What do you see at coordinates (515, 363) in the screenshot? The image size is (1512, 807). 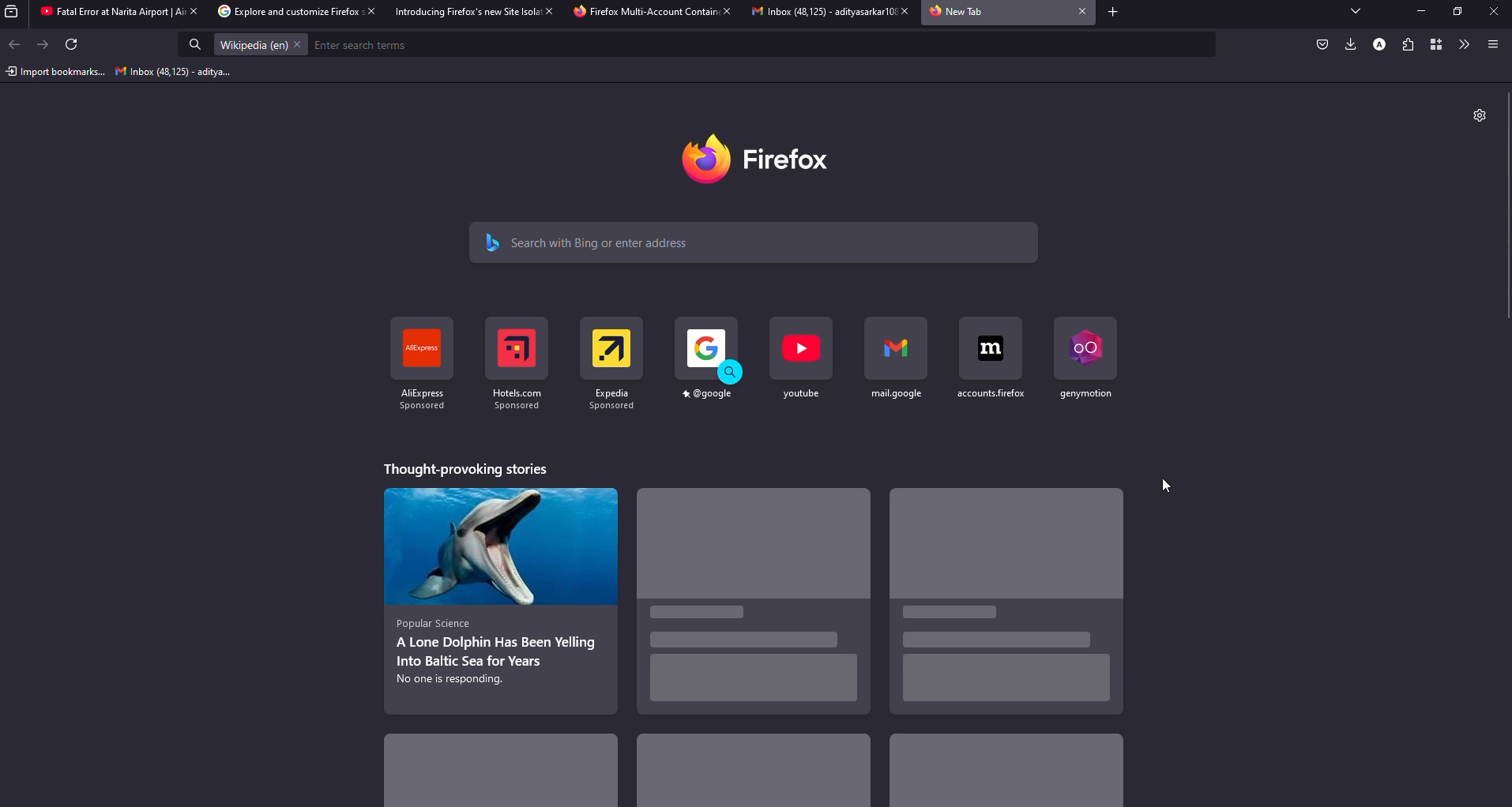 I see `shortcut` at bounding box center [515, 363].